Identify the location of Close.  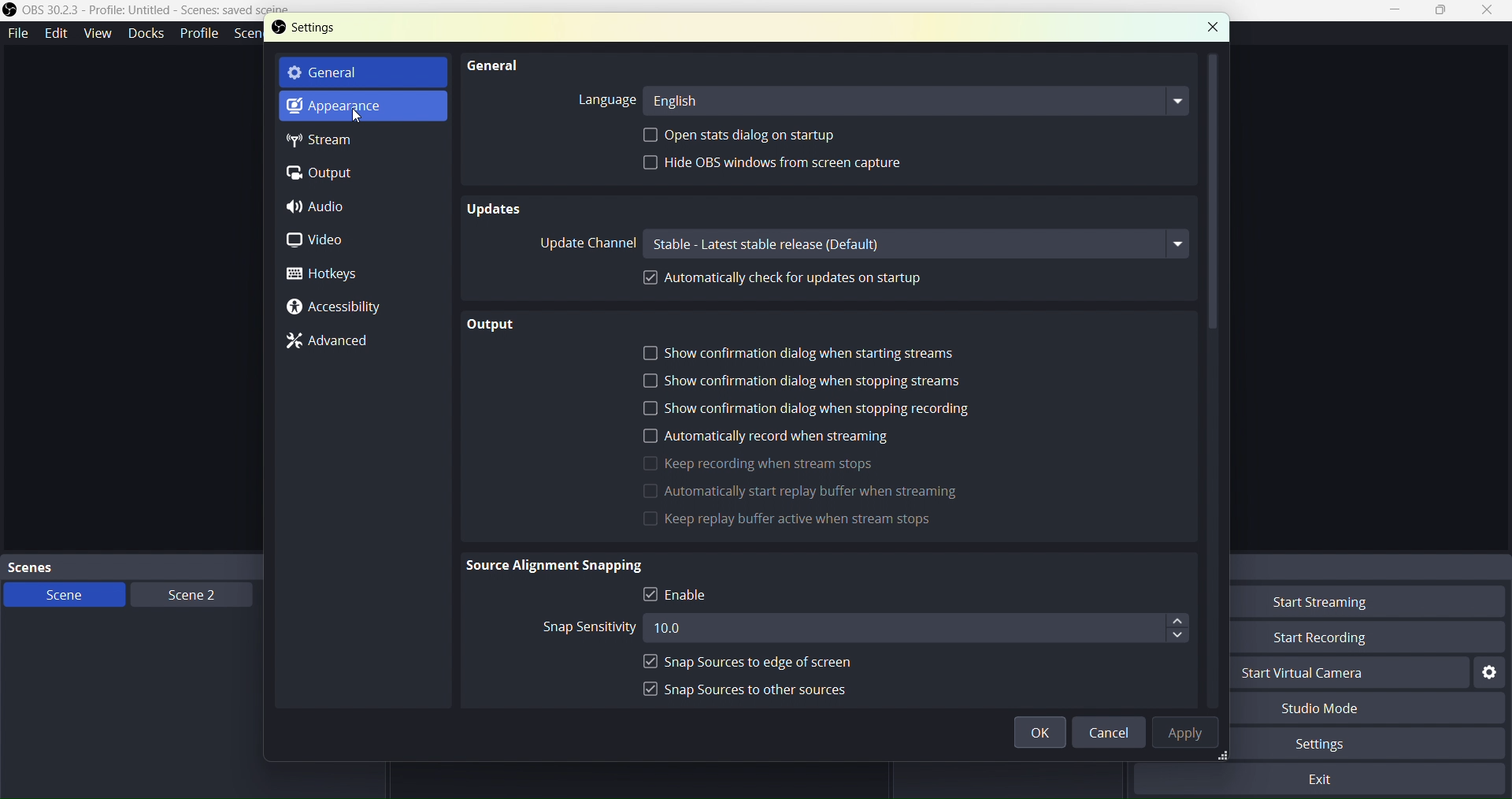
(1210, 26).